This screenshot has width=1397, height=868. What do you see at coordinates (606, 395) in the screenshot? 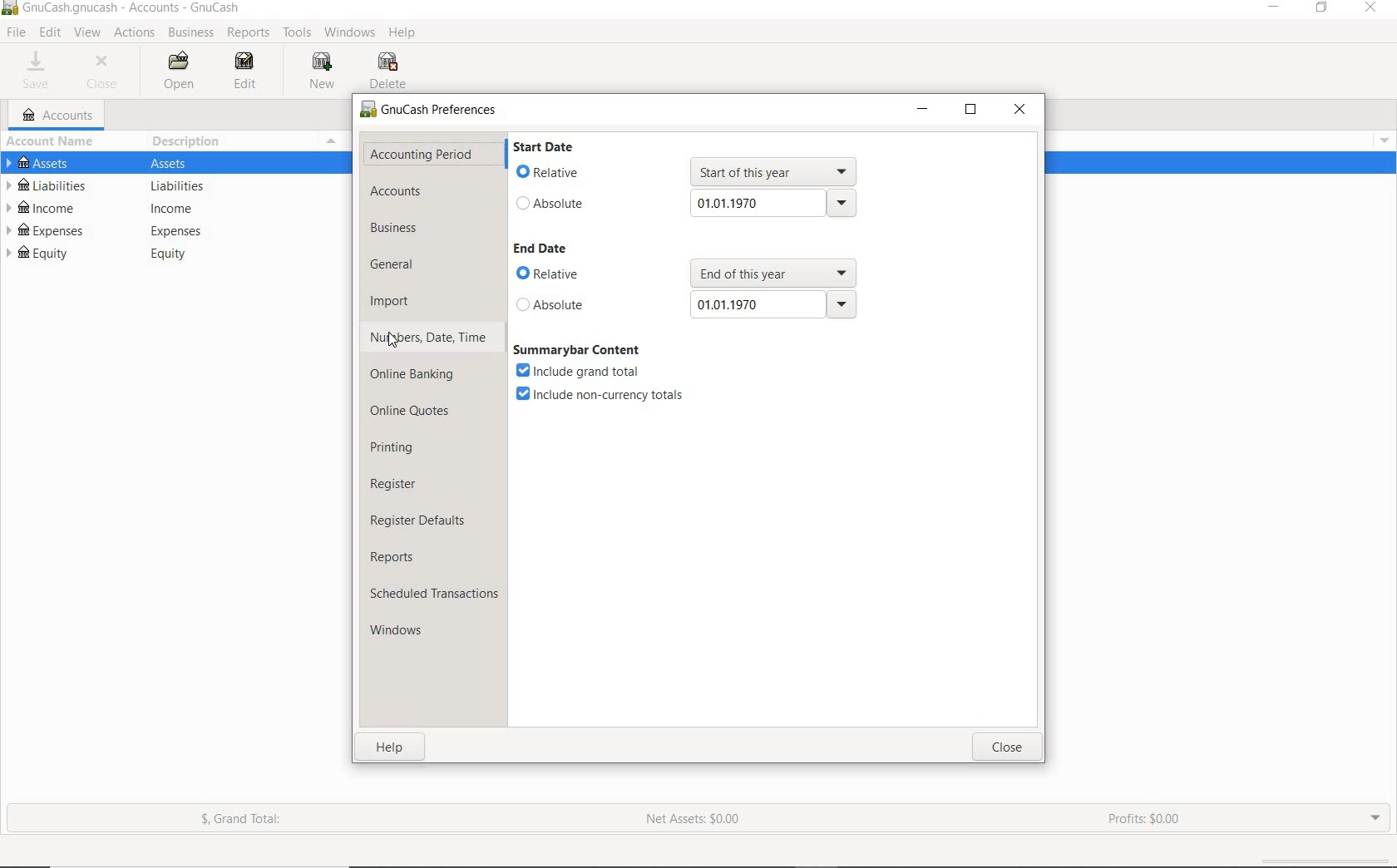
I see `include non-currency totals` at bounding box center [606, 395].